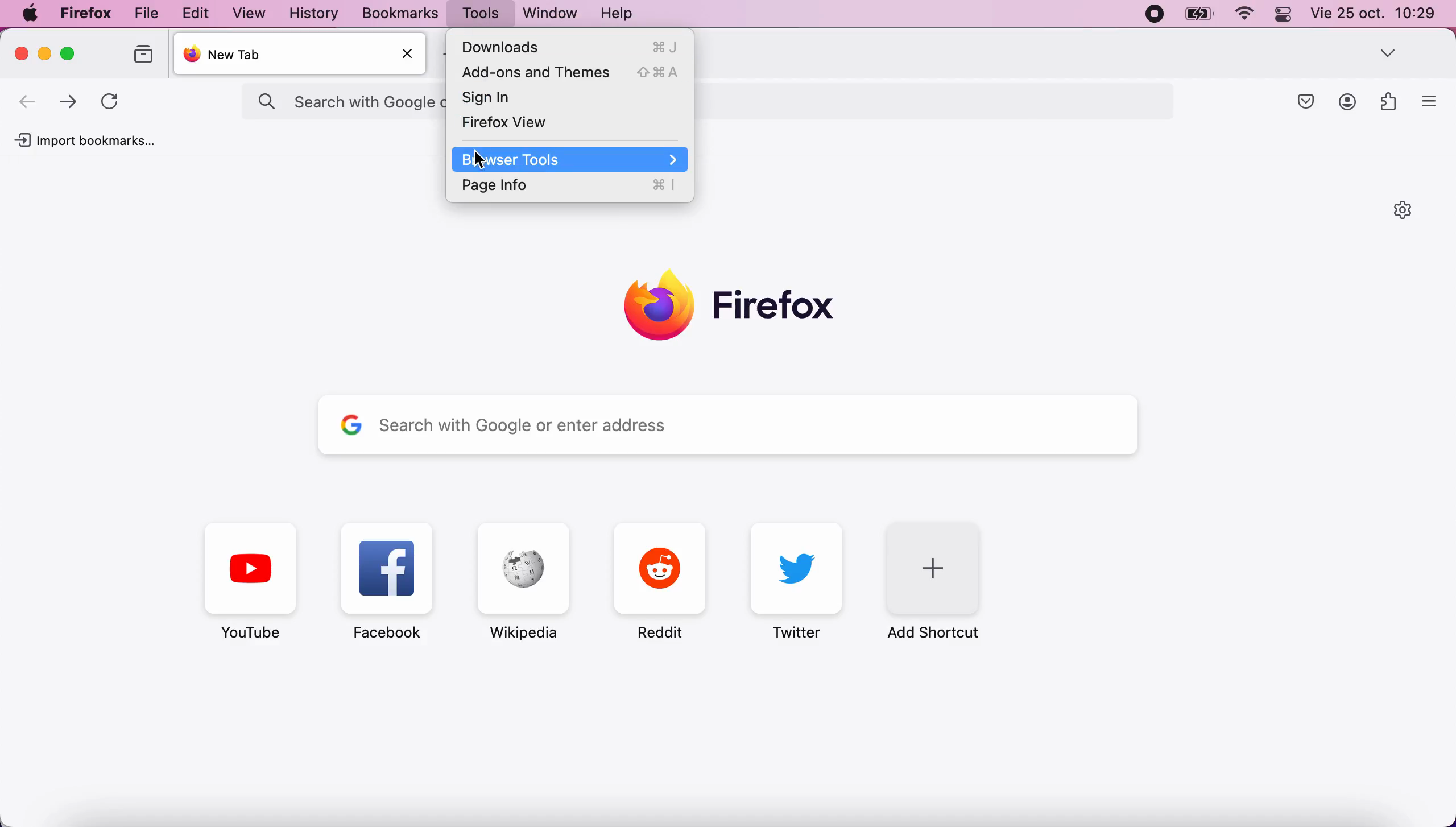 This screenshot has width=1456, height=827. I want to click on search bar, so click(932, 101).